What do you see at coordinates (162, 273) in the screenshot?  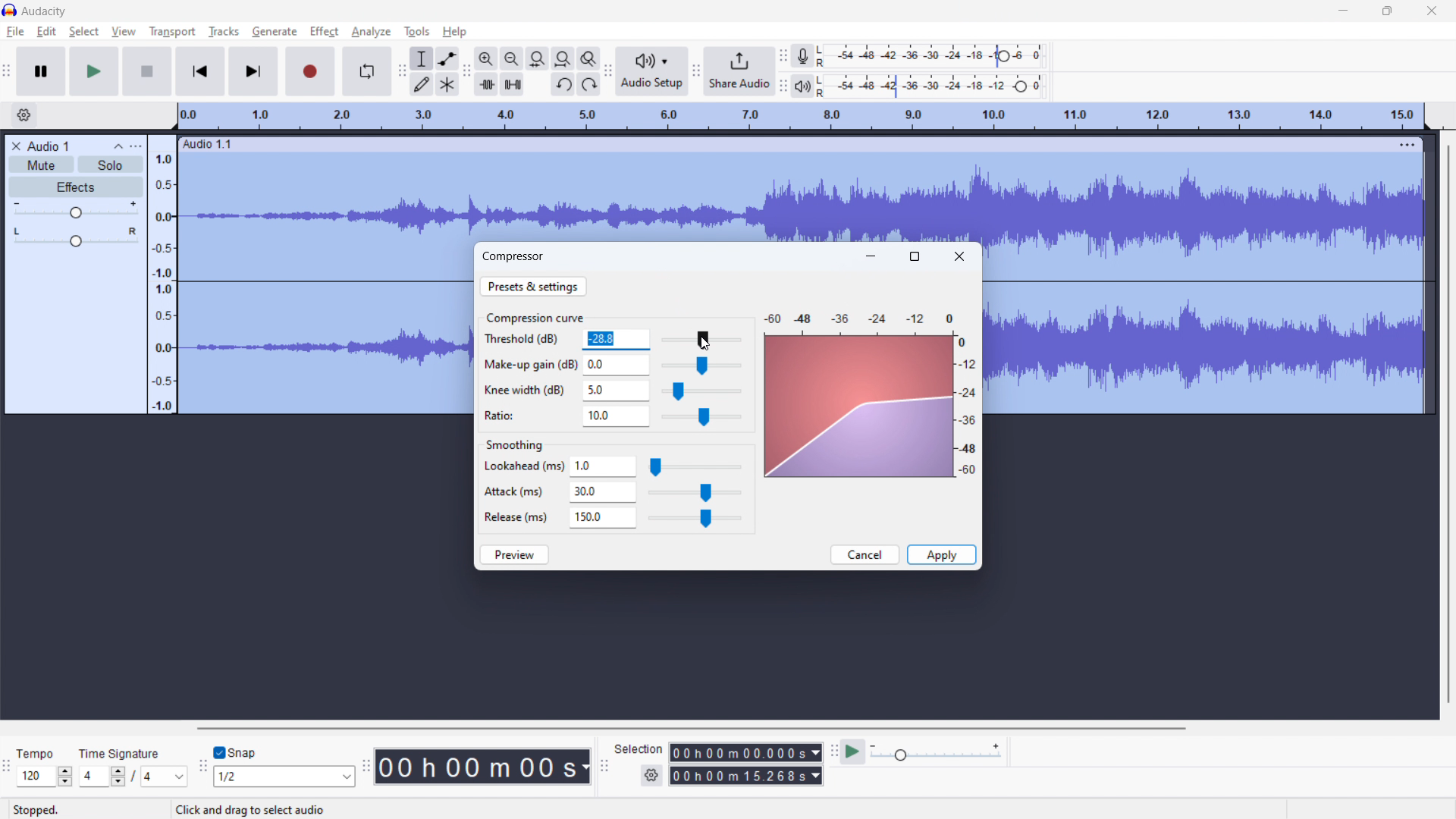 I see `amplitude` at bounding box center [162, 273].